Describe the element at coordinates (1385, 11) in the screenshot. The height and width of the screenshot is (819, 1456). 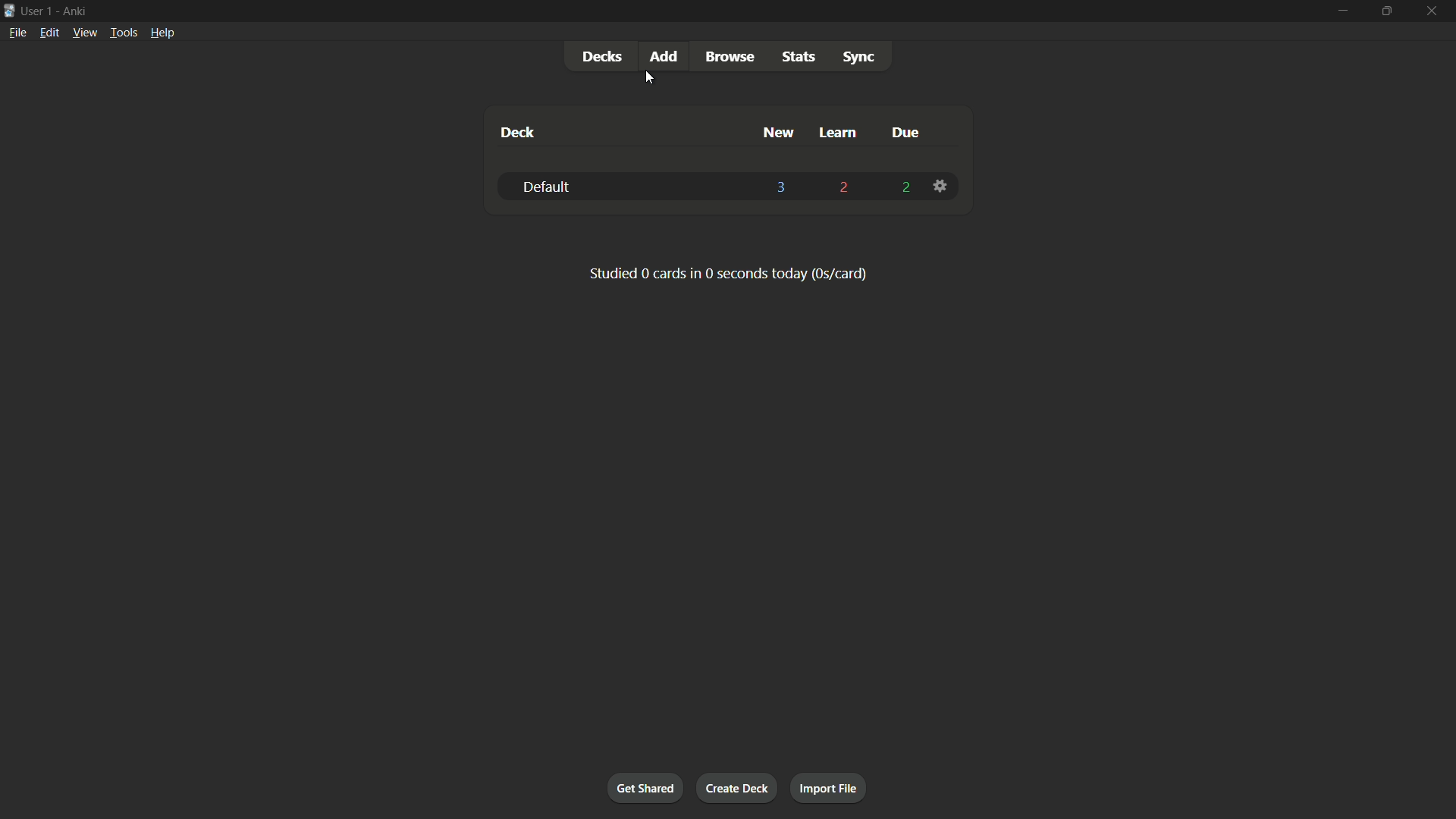
I see `maximize` at that location.